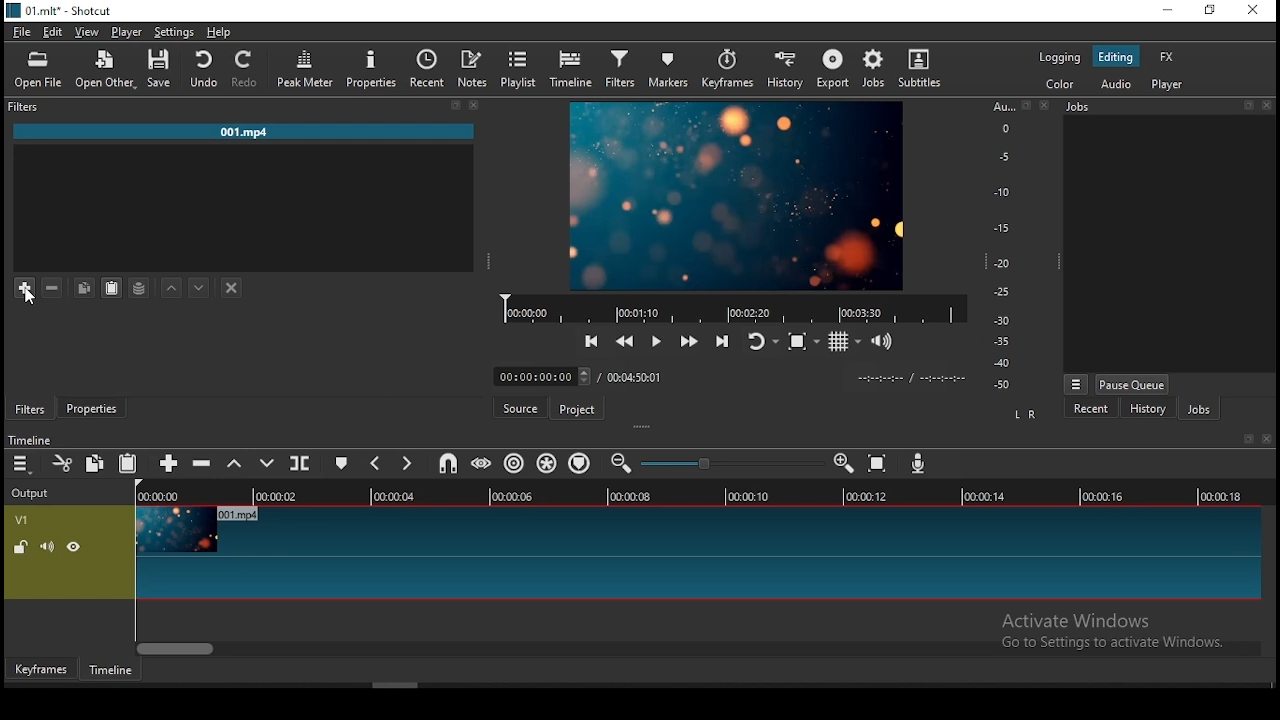 The image size is (1280, 720). I want to click on color, so click(1059, 82).